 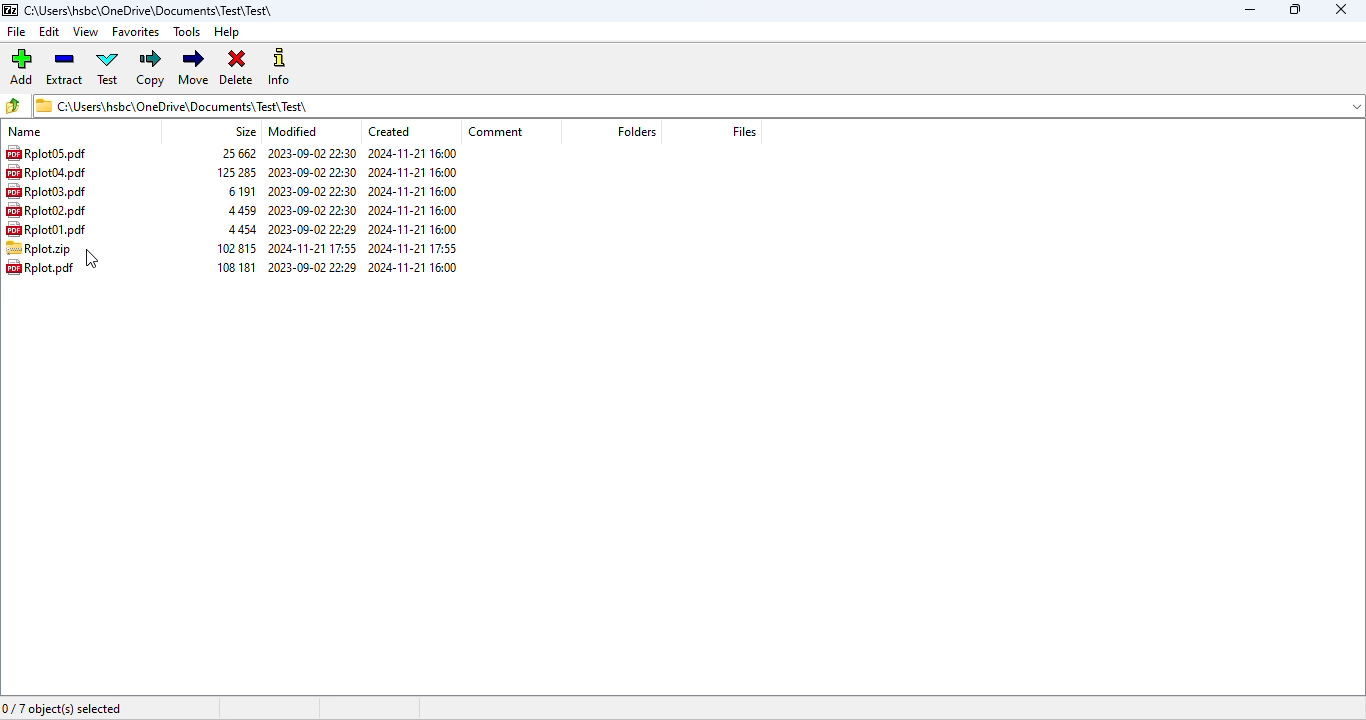 I want to click on 4459, so click(x=241, y=211).